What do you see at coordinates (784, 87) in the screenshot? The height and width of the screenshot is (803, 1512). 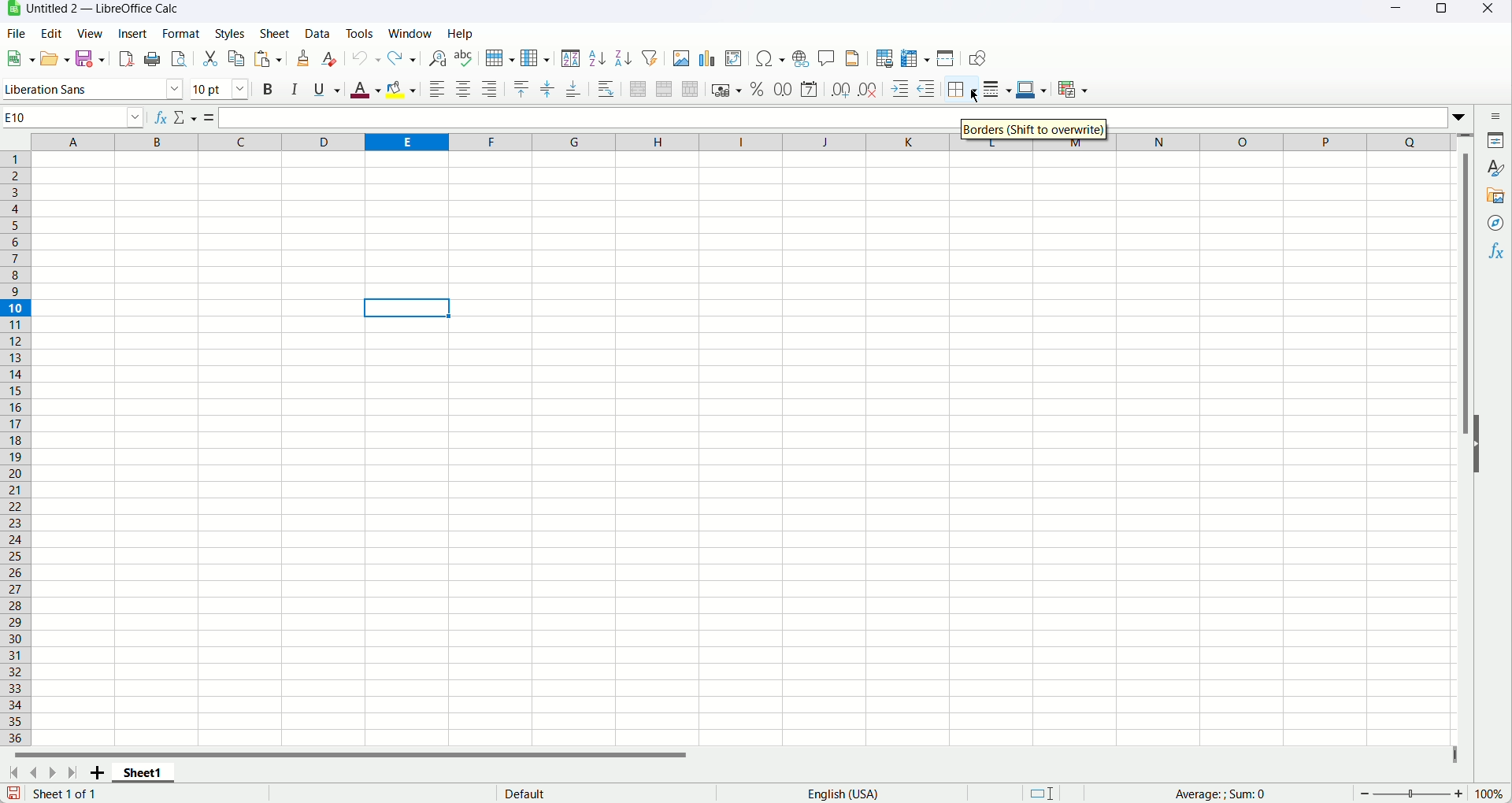 I see `Format as number` at bounding box center [784, 87].